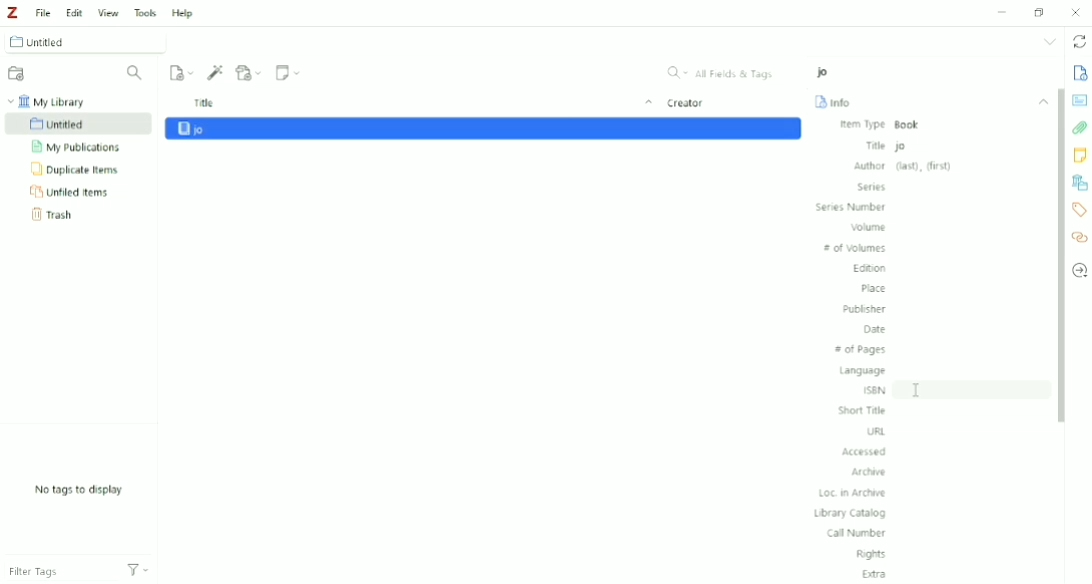  I want to click on ISBN, so click(874, 390).